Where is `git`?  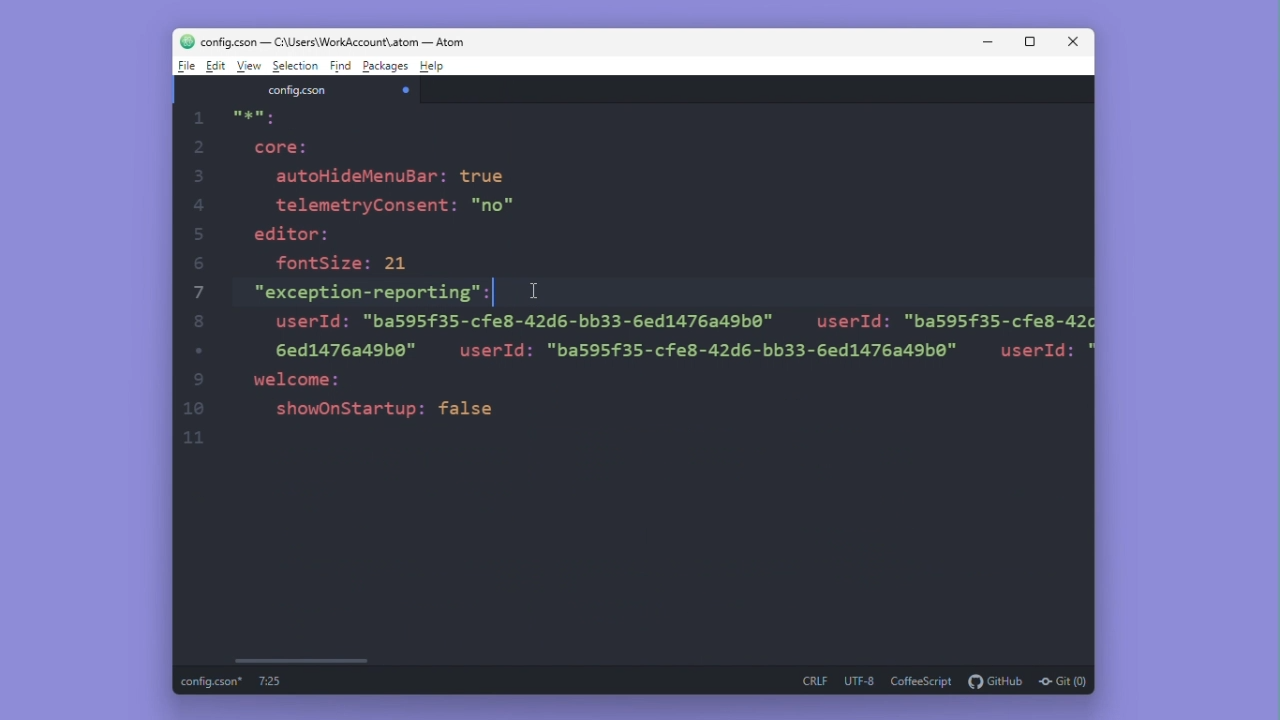 git is located at coordinates (1064, 680).